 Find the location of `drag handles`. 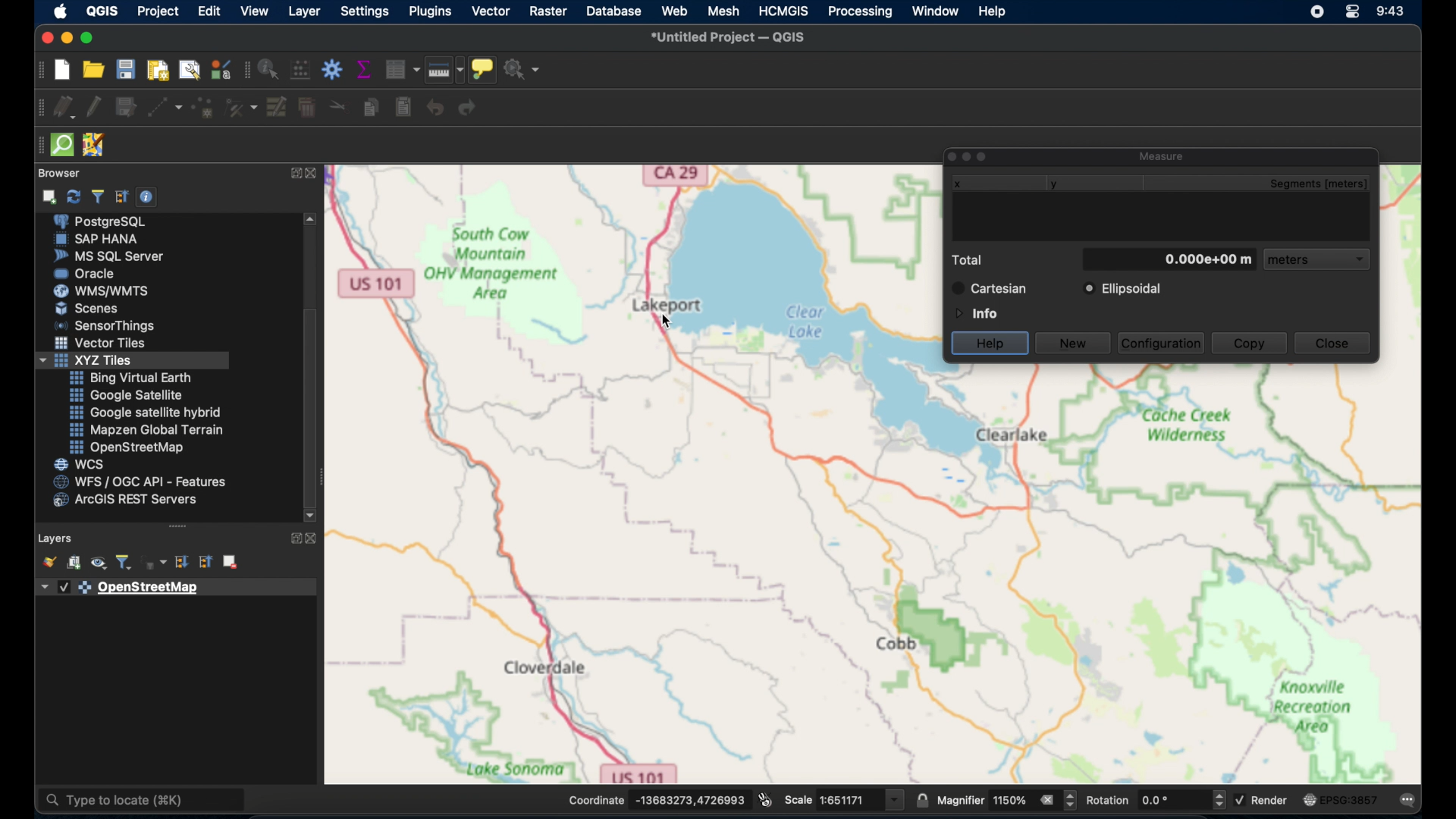

drag handles is located at coordinates (37, 148).